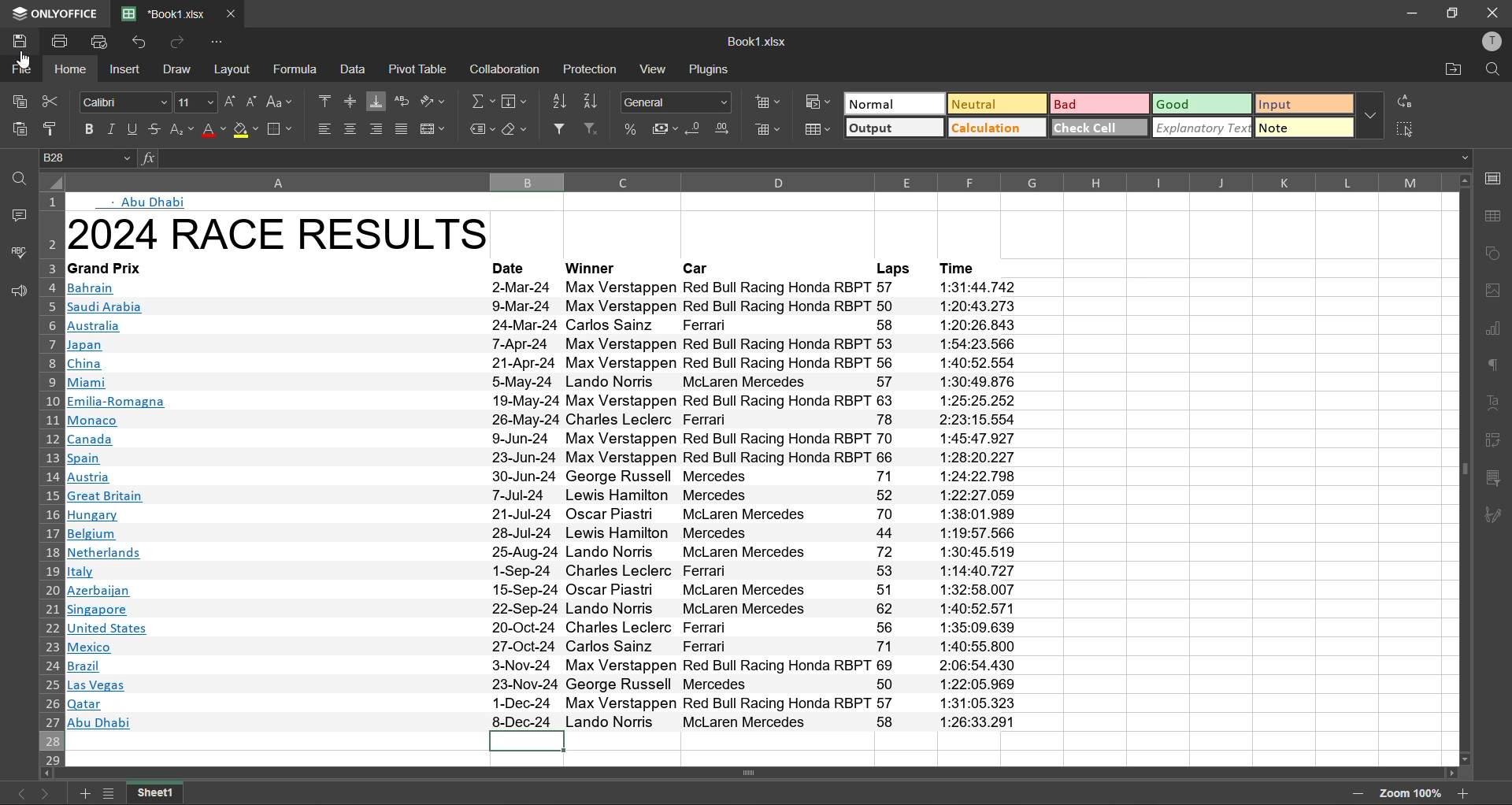  I want to click on orientation, so click(434, 101).